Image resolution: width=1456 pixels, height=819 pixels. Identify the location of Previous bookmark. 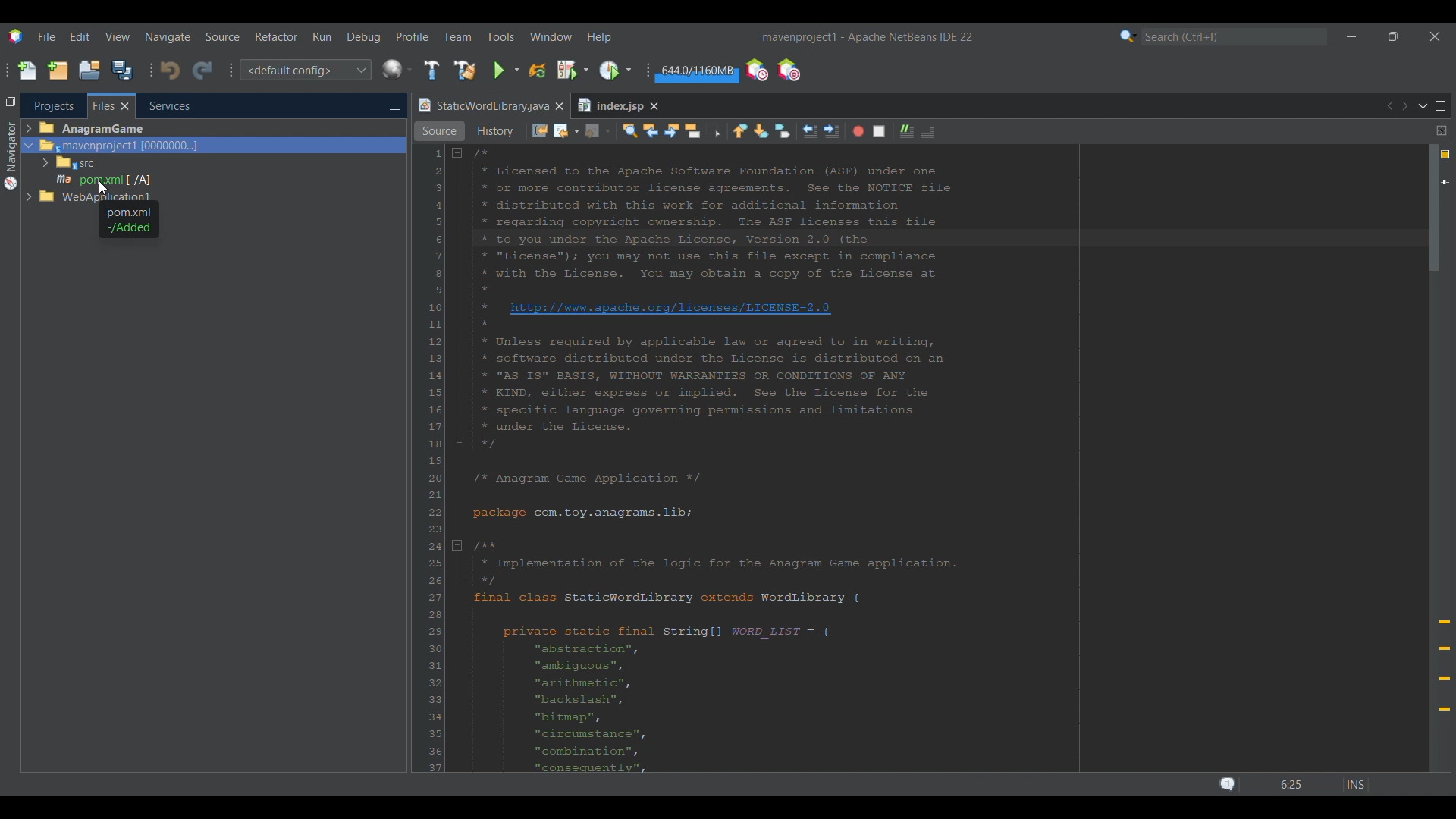
(740, 131).